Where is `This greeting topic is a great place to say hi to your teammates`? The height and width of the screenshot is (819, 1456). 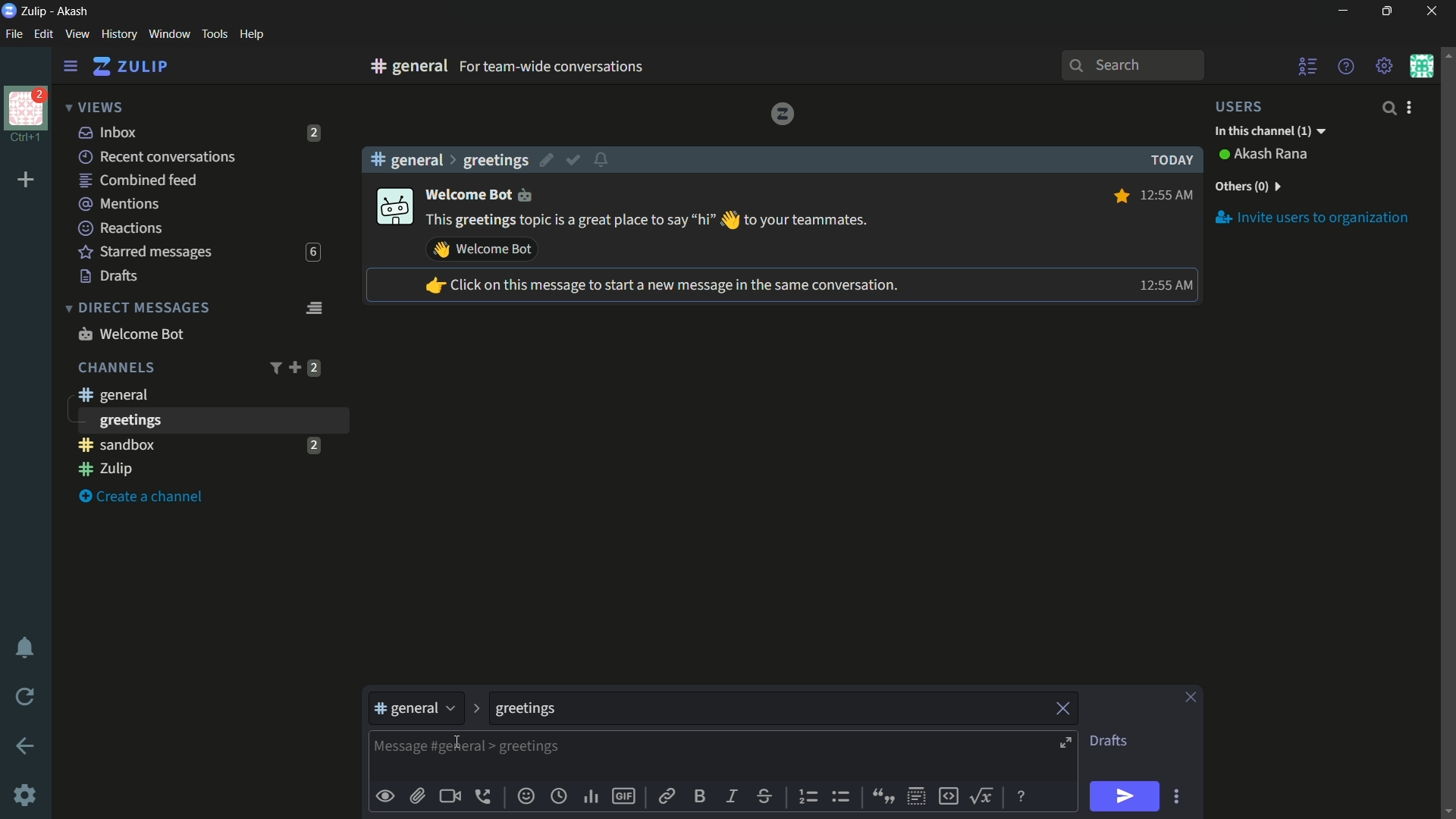 This greeting topic is a great place to say hi to your teammates is located at coordinates (648, 221).